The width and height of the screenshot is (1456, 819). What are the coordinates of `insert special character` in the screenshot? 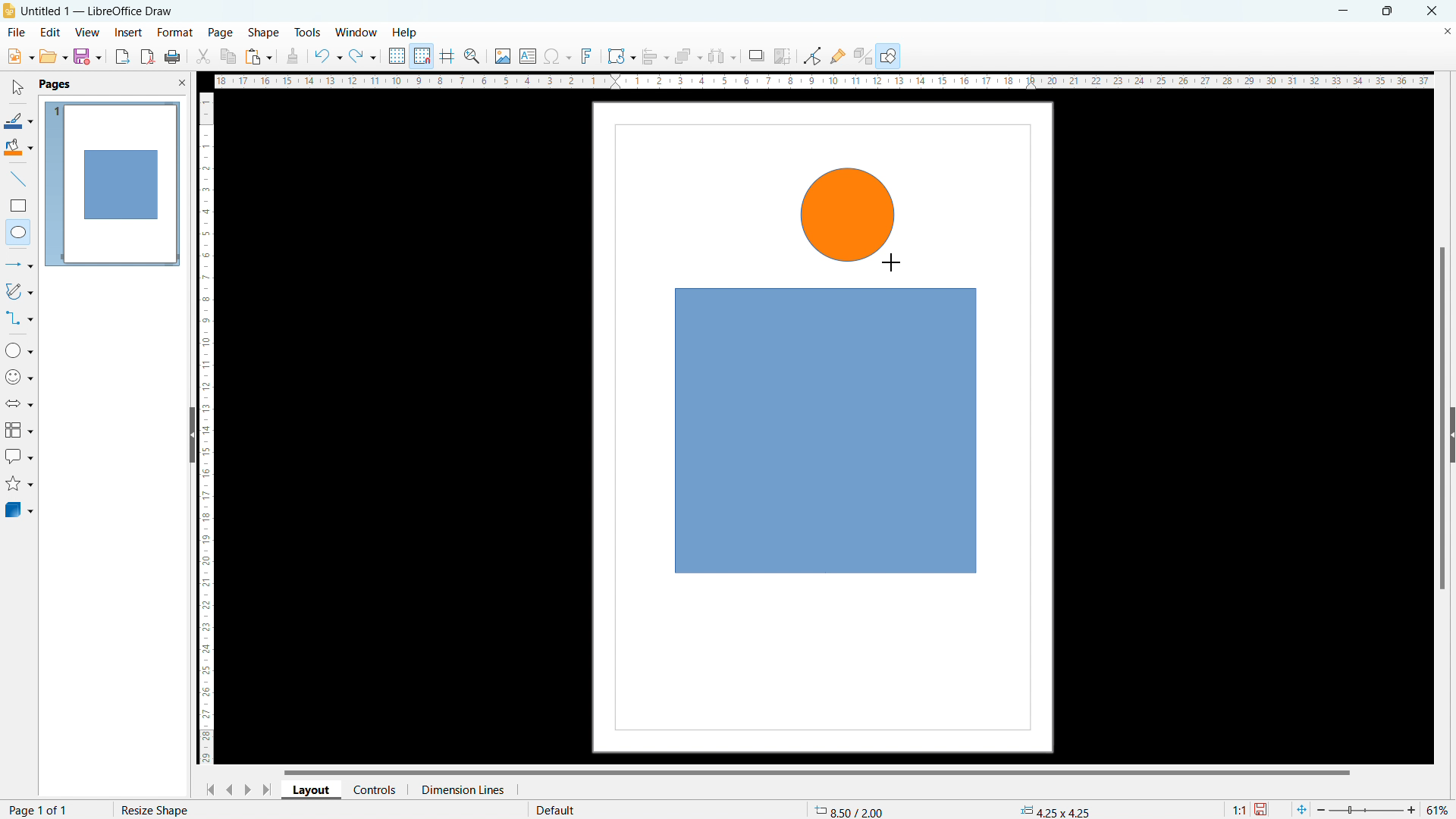 It's located at (558, 56).